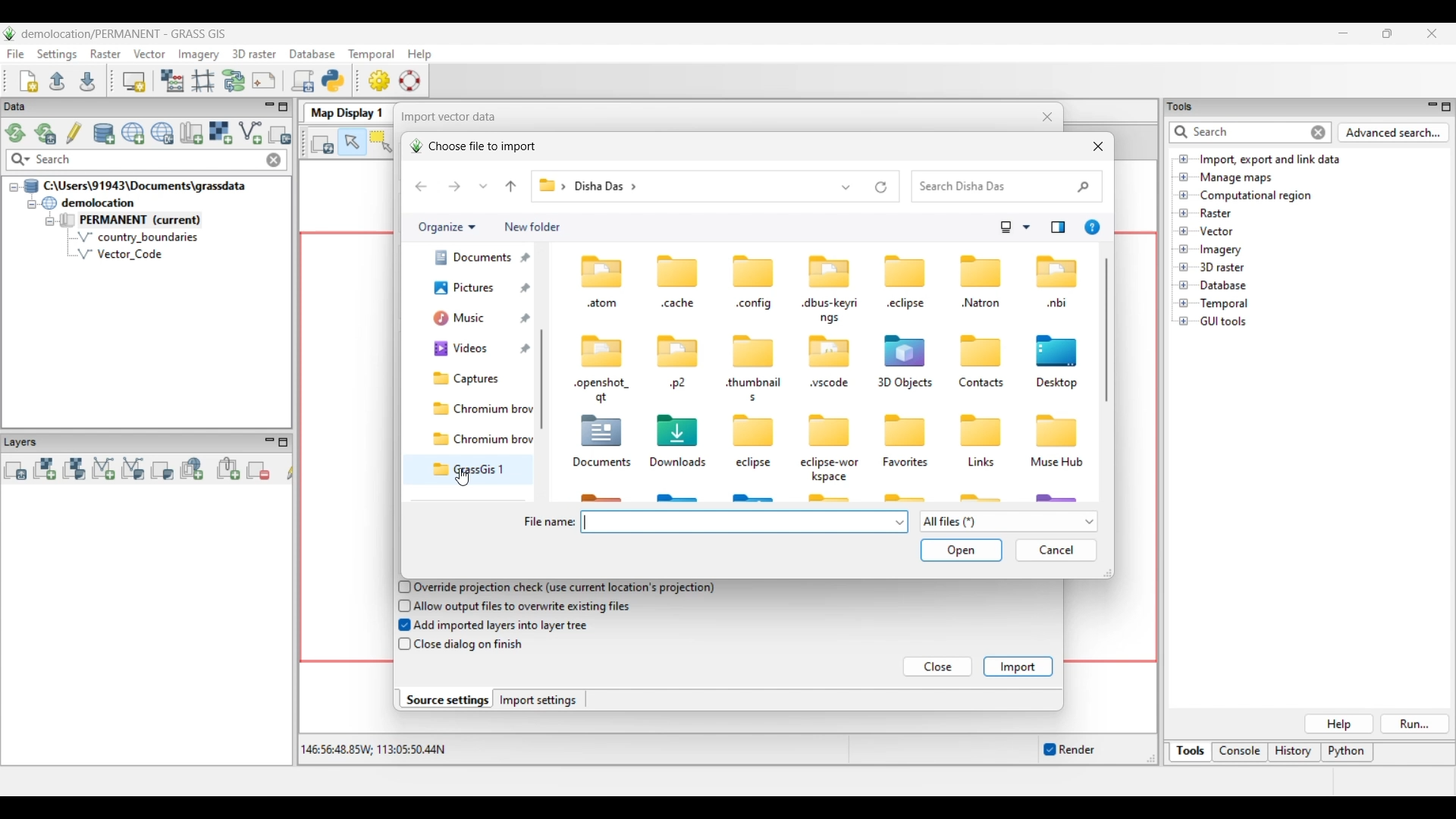 The height and width of the screenshot is (819, 1456). I want to click on Contacts, so click(981, 384).